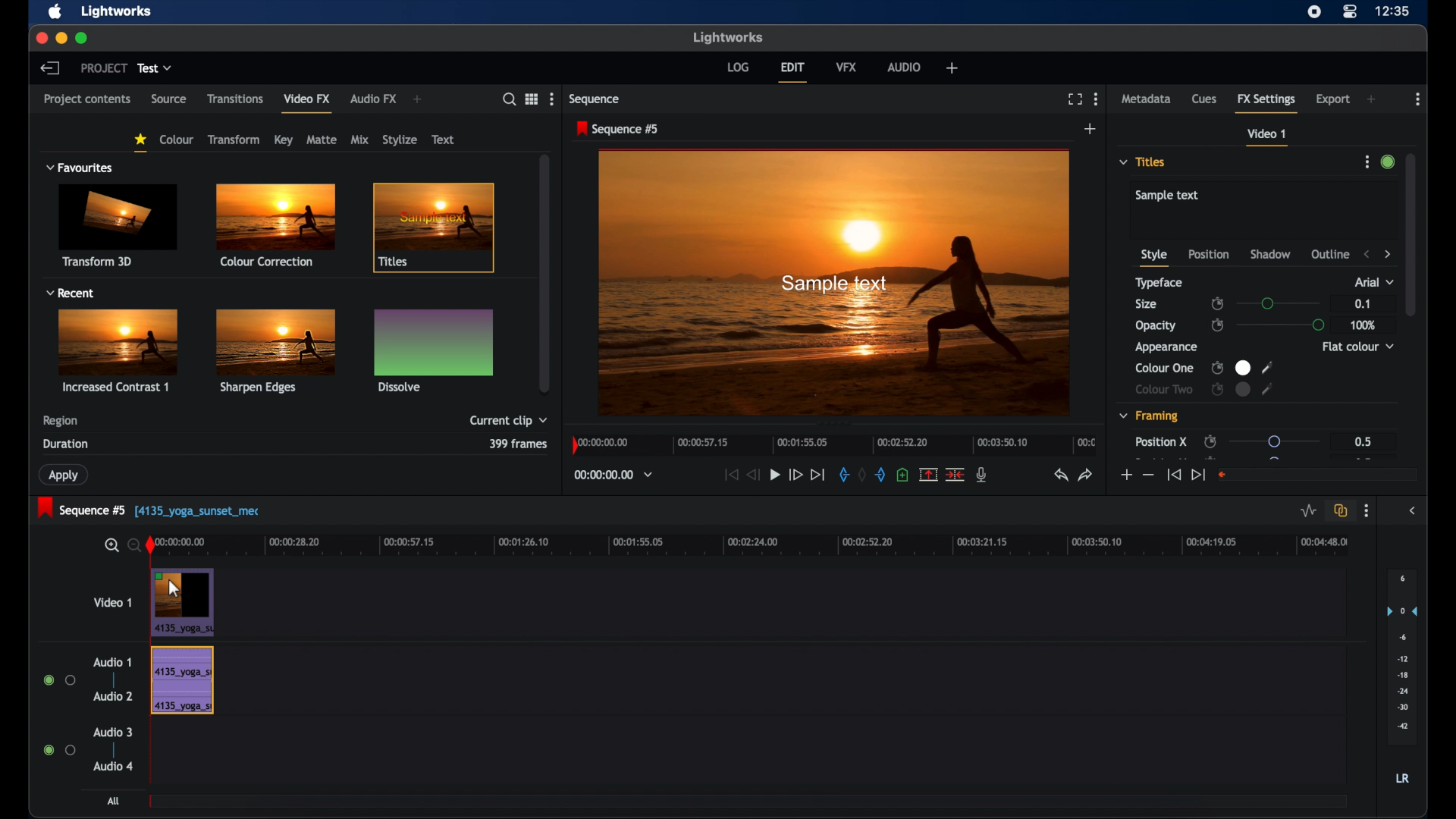 This screenshot has width=1456, height=819. What do you see at coordinates (1394, 12) in the screenshot?
I see `time` at bounding box center [1394, 12].